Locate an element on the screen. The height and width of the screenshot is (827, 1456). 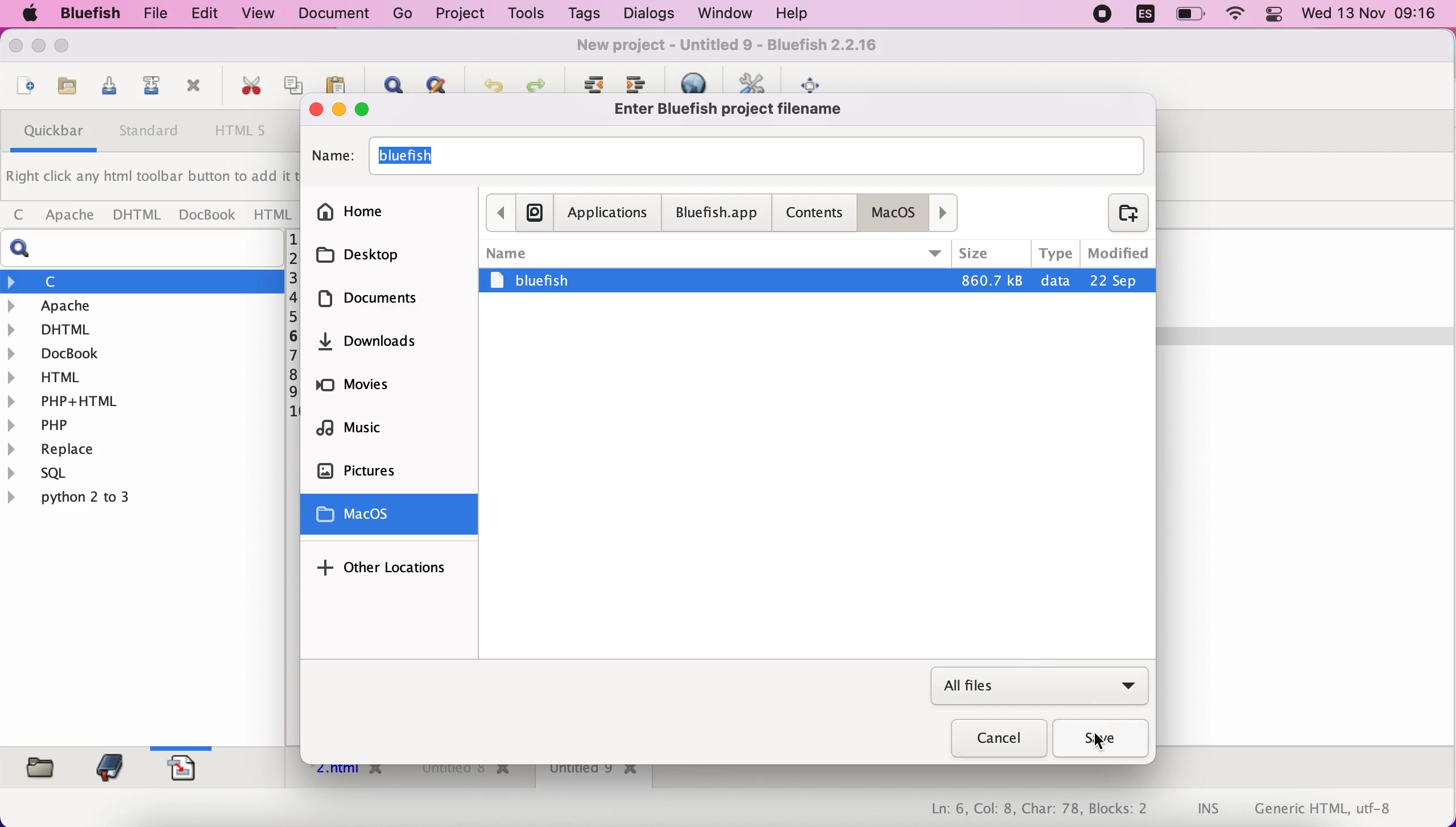
resize is located at coordinates (39, 49).